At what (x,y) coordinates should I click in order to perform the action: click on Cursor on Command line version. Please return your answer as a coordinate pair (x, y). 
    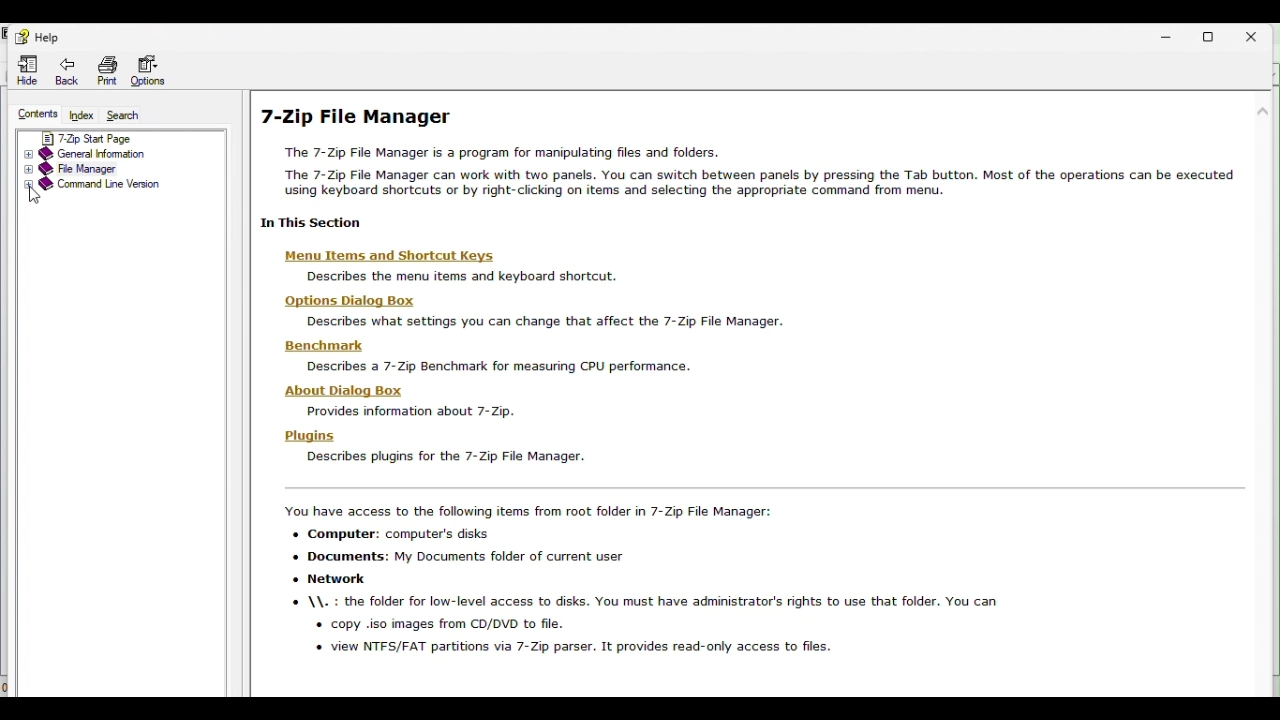
    Looking at the image, I should click on (114, 191).